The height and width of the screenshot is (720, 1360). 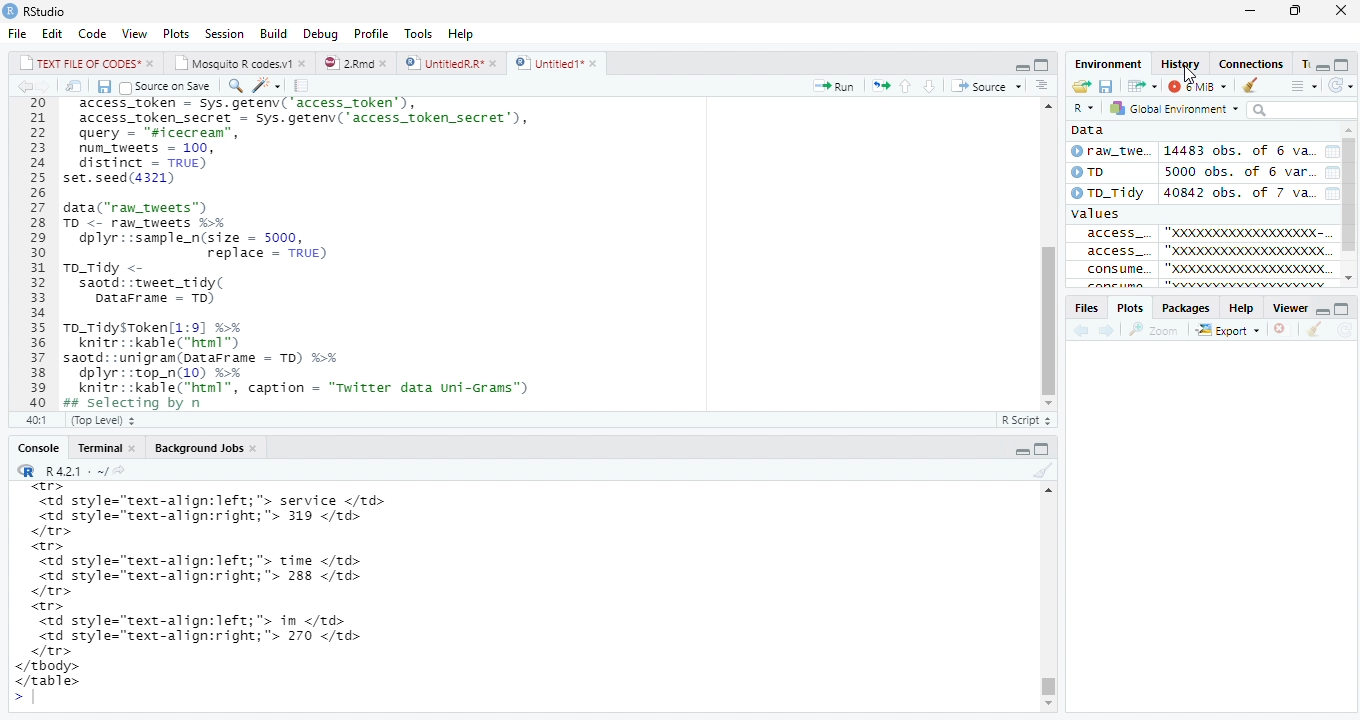 What do you see at coordinates (76, 62) in the screenshot?
I see `|_| TEXT FILE OF CODES" »` at bounding box center [76, 62].